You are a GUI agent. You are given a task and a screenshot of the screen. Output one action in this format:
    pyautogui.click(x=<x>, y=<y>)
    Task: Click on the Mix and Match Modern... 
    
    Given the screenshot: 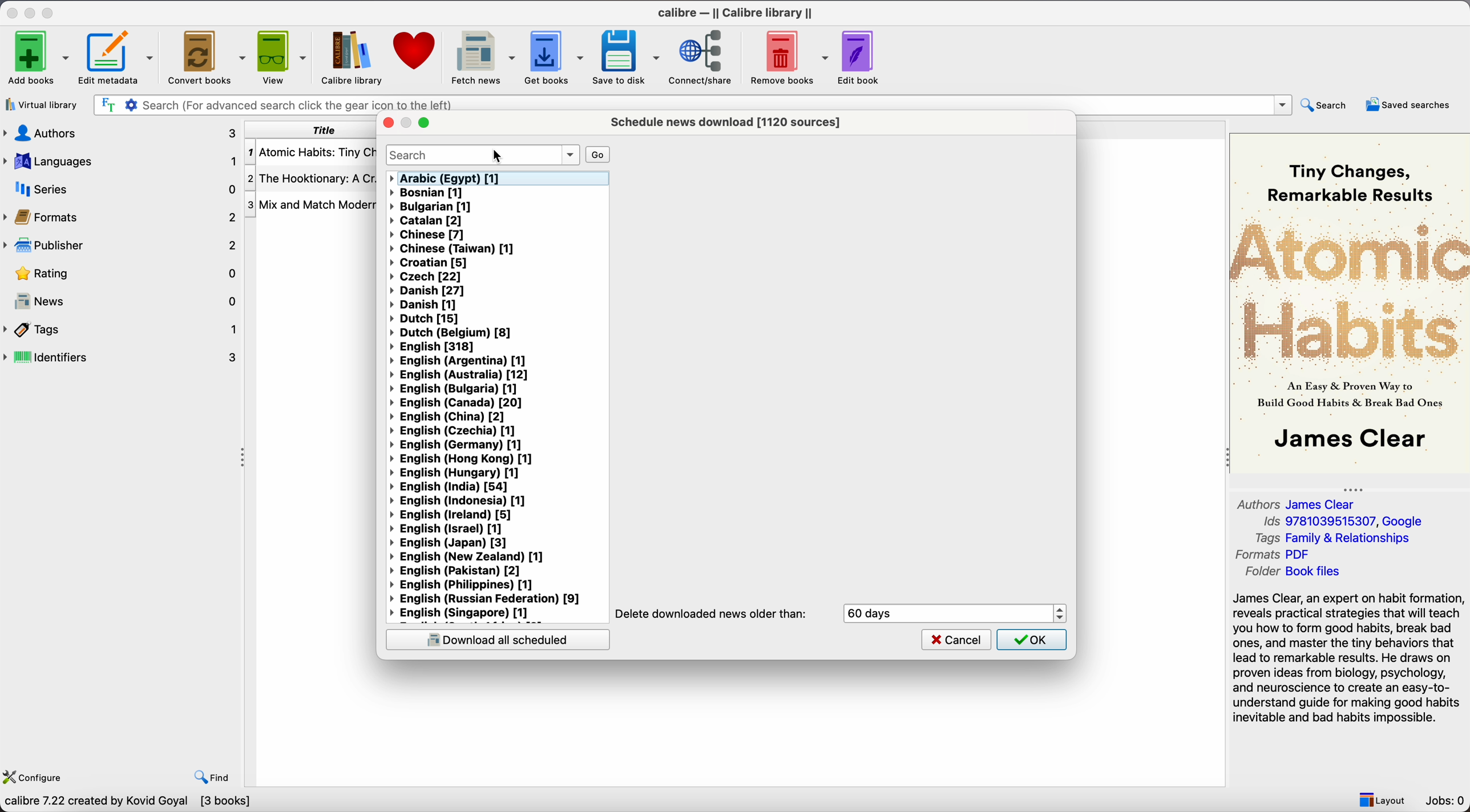 What is the action you would take?
    pyautogui.click(x=312, y=205)
    